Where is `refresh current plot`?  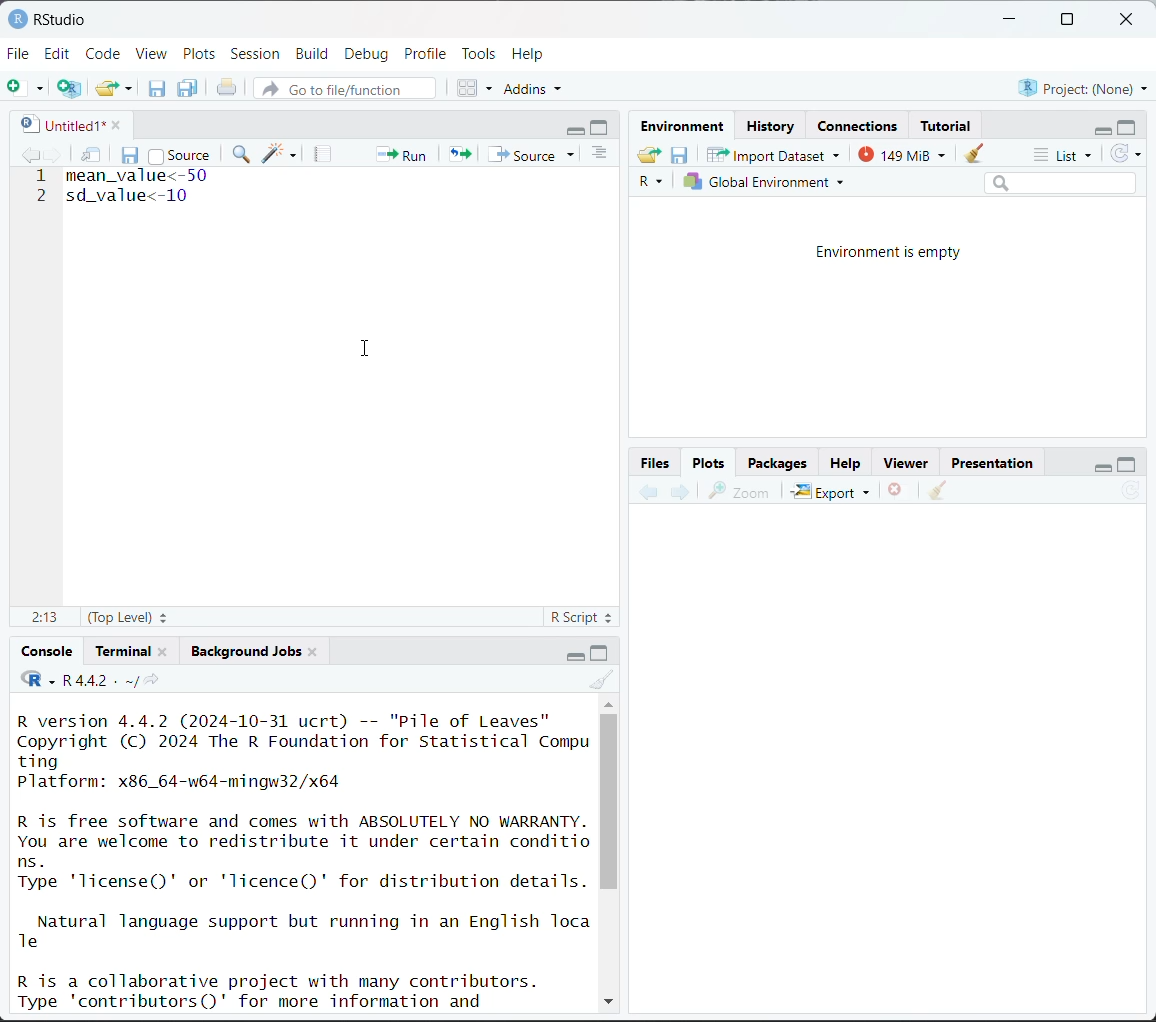 refresh current plot is located at coordinates (1131, 493).